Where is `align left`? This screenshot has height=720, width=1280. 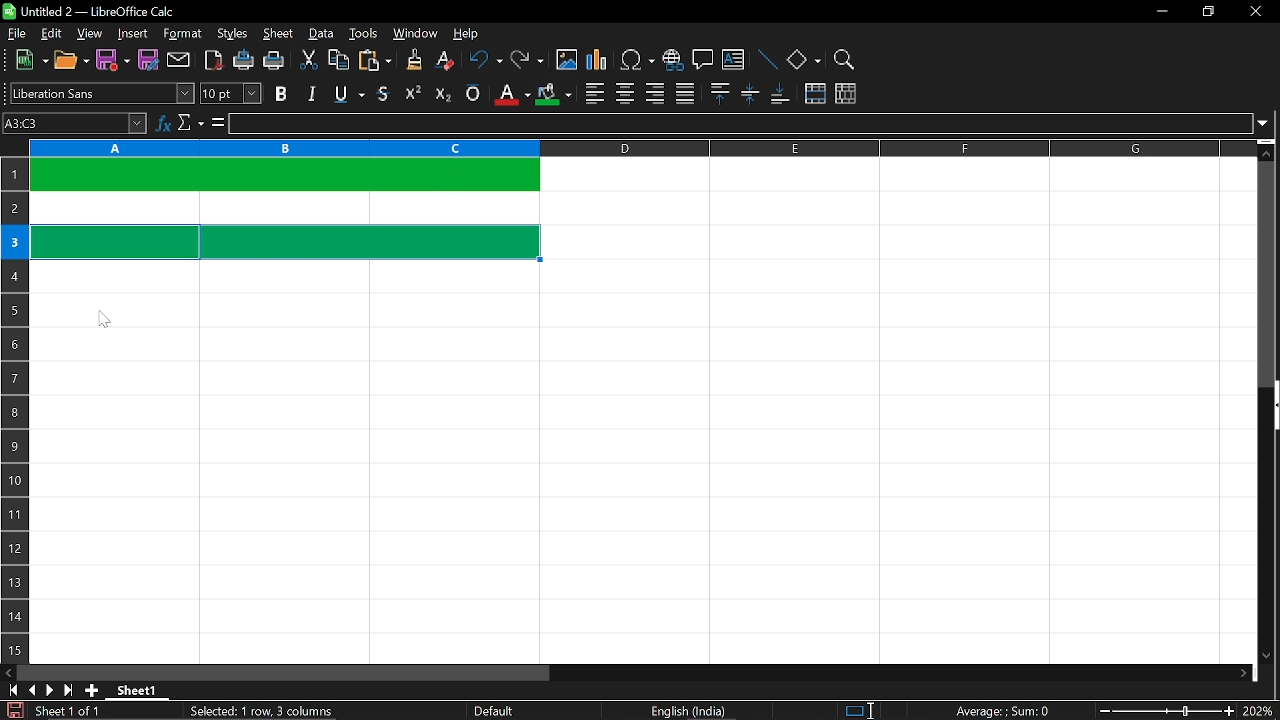
align left is located at coordinates (594, 92).